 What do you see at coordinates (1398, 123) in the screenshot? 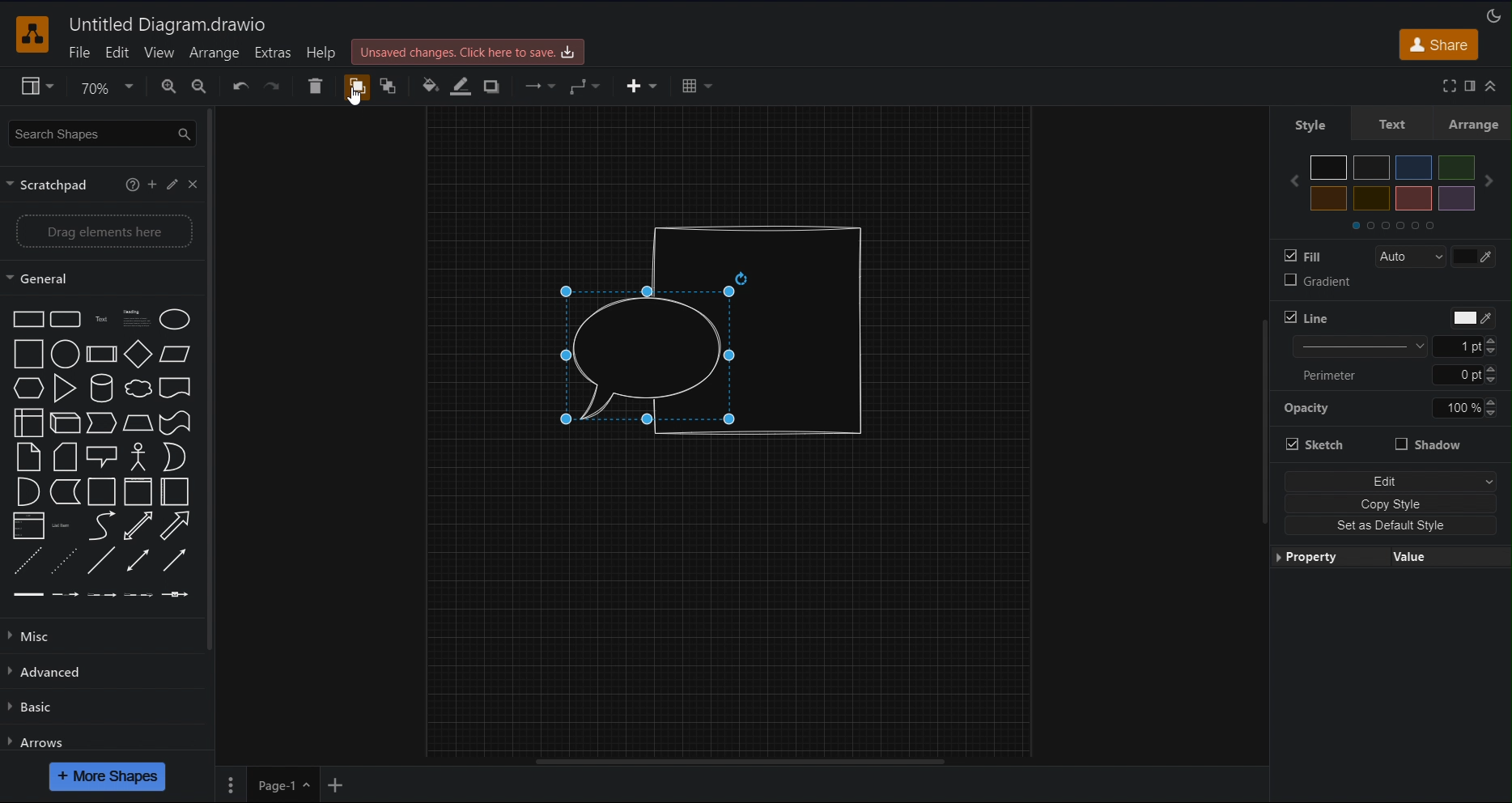
I see `Text` at bounding box center [1398, 123].